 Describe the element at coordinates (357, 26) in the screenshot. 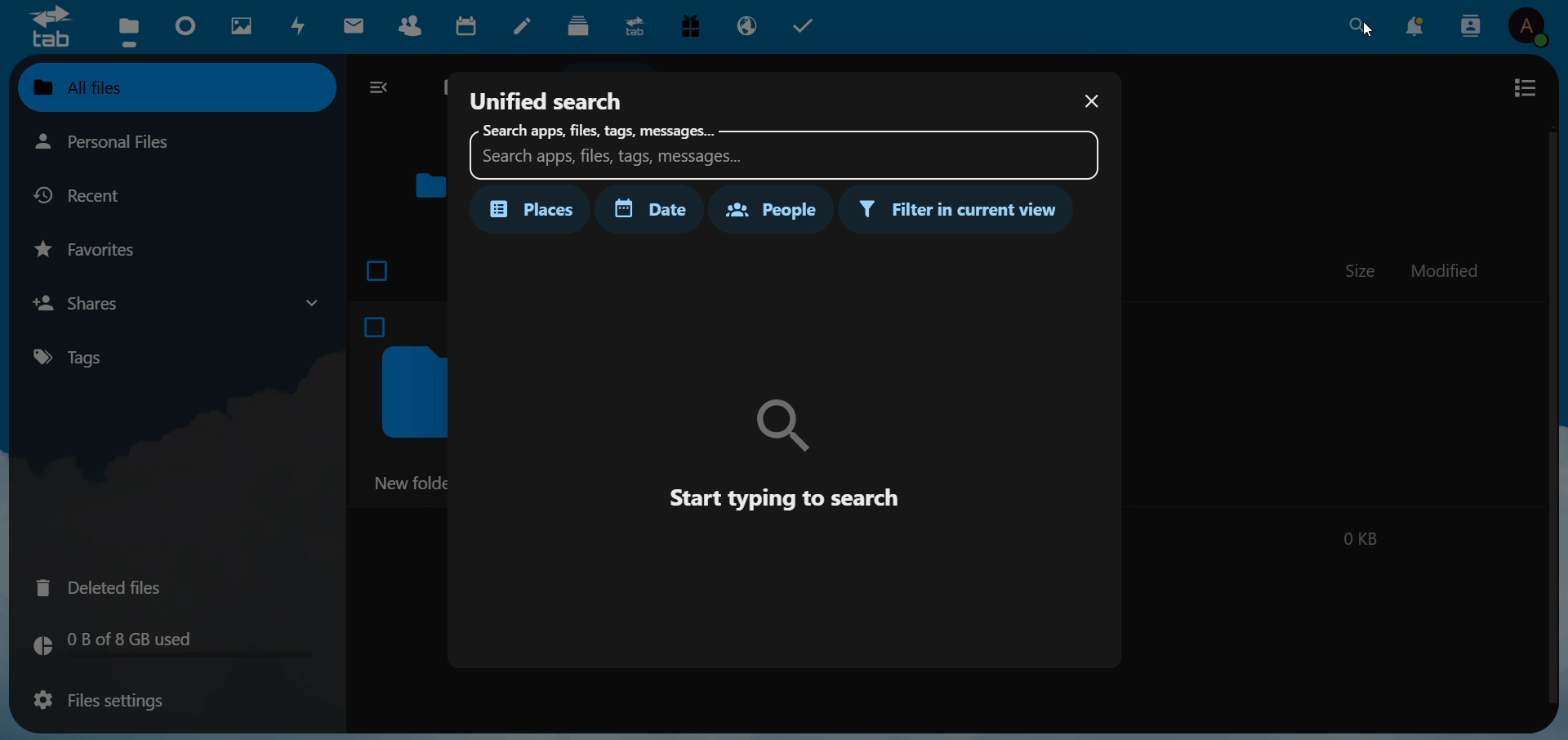

I see `mail` at that location.